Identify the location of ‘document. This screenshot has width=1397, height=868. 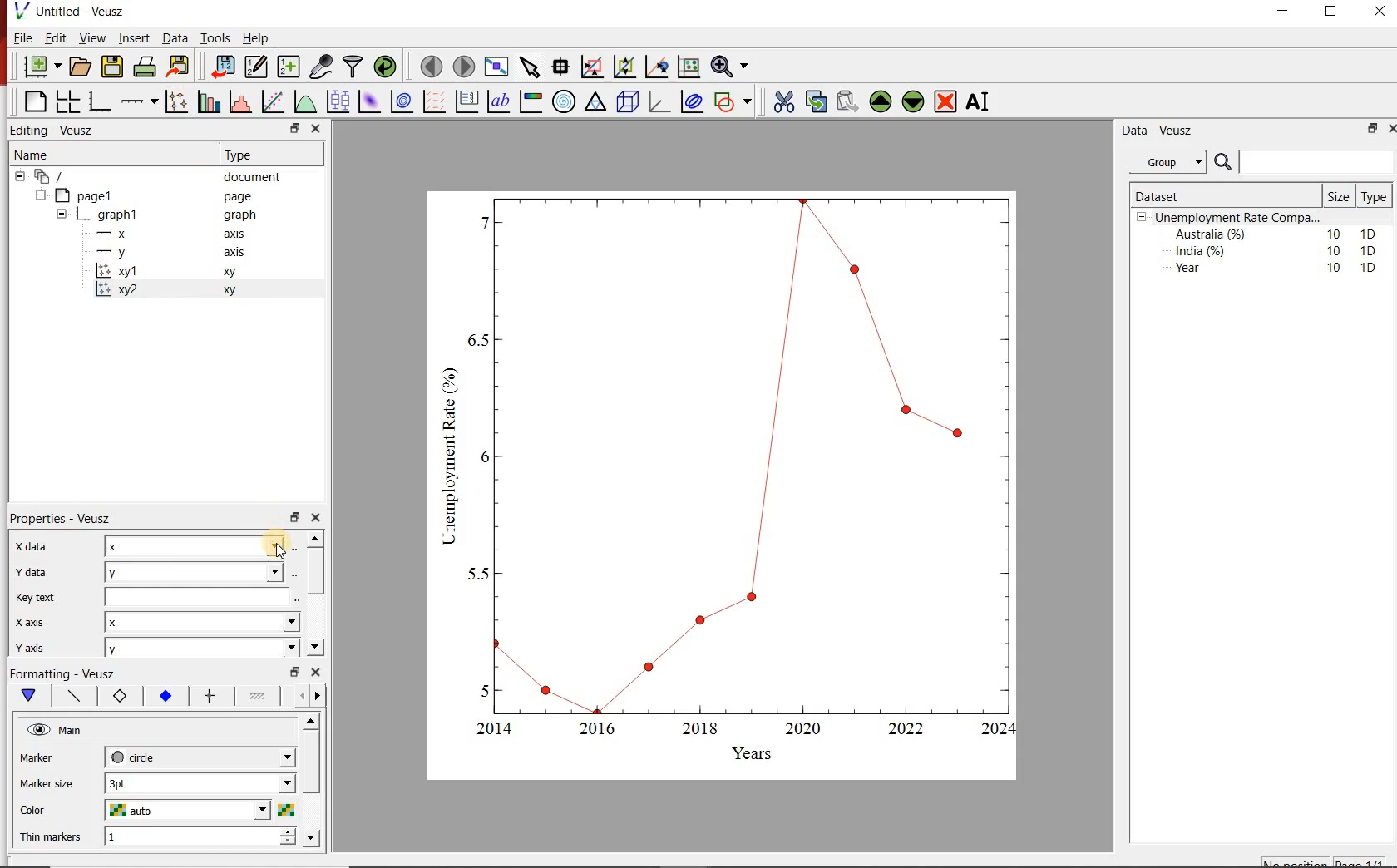
(155, 175).